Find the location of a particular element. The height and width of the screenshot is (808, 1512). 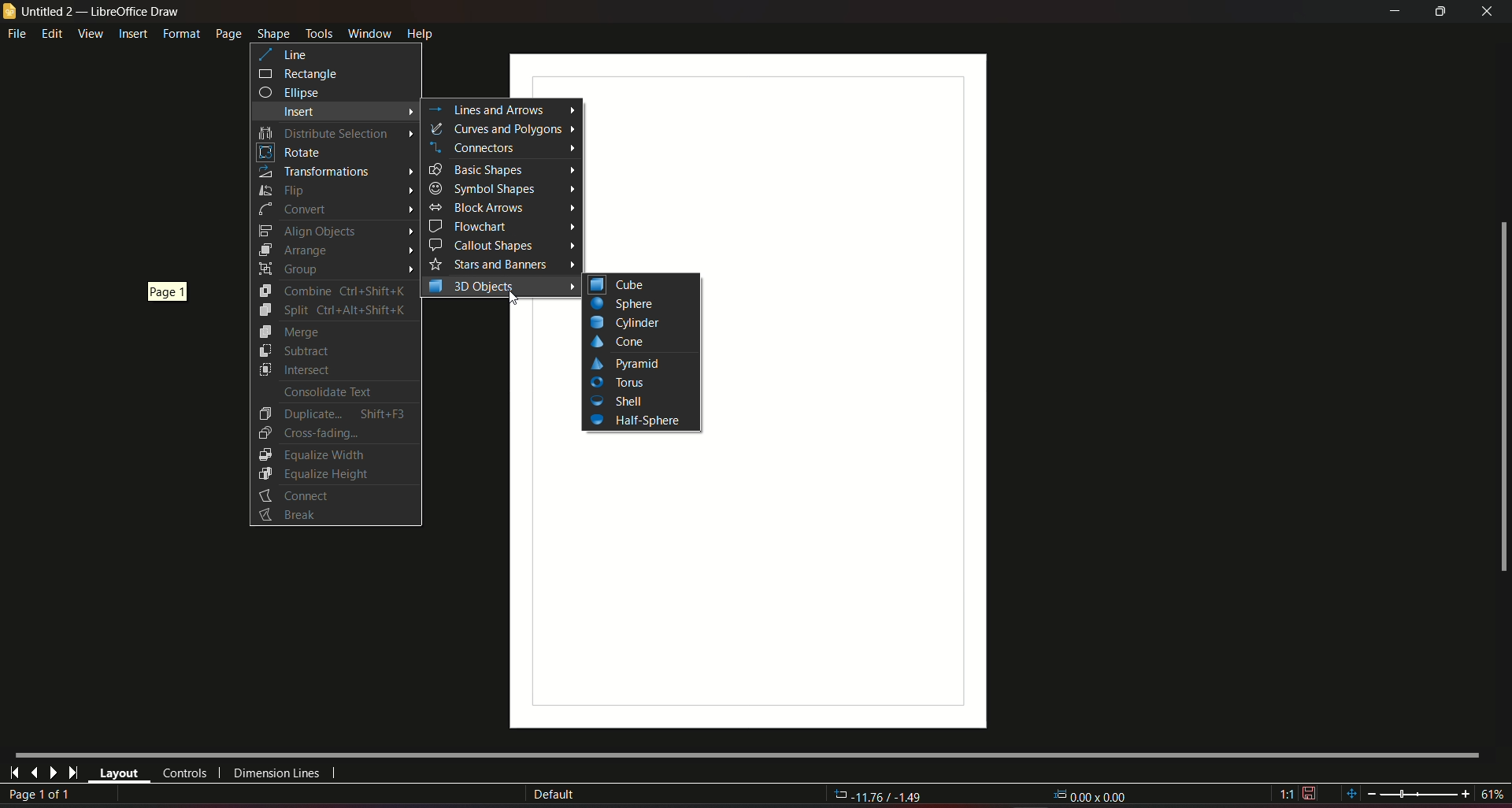

Arrow is located at coordinates (571, 168).